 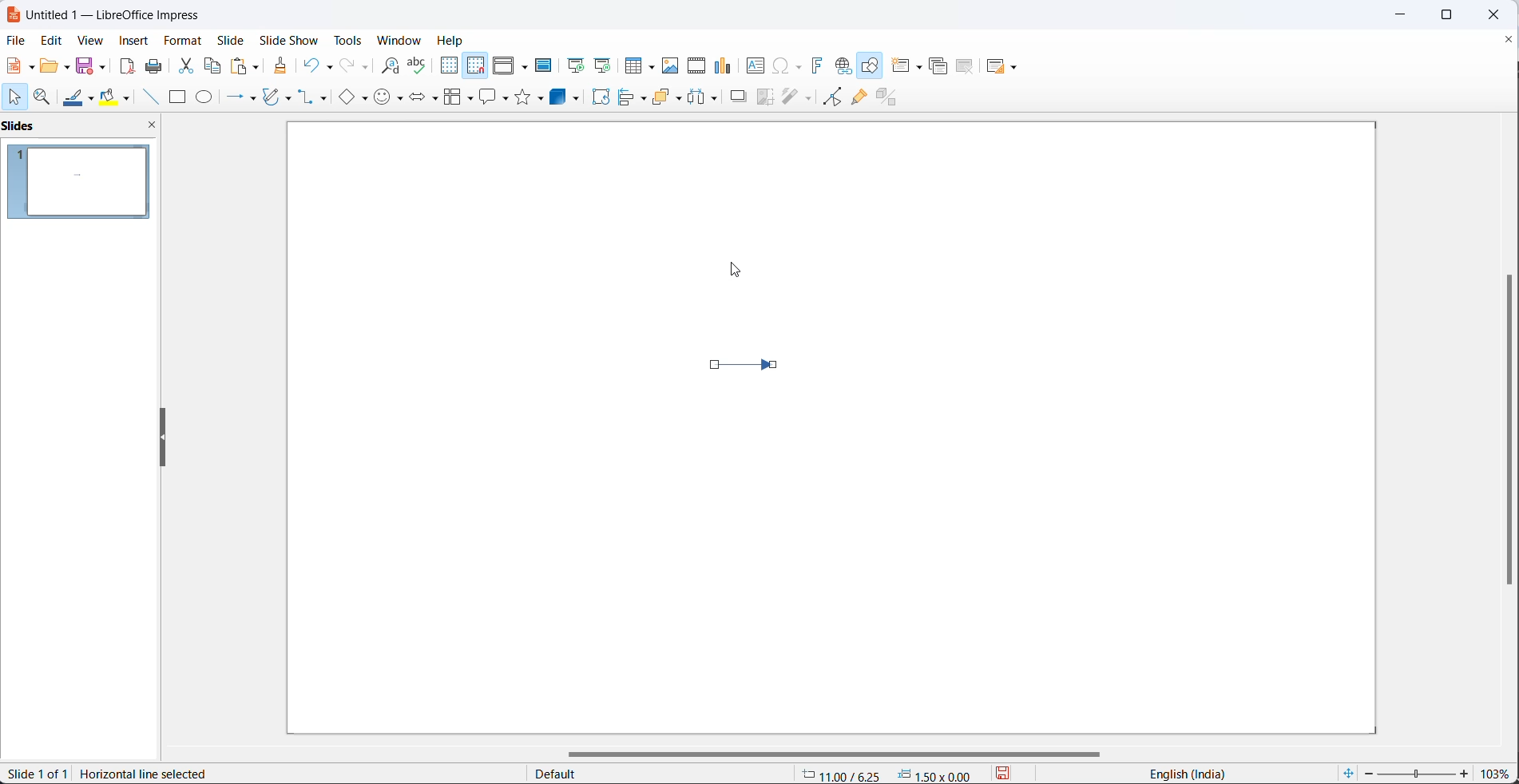 I want to click on side pane, so click(x=83, y=127).